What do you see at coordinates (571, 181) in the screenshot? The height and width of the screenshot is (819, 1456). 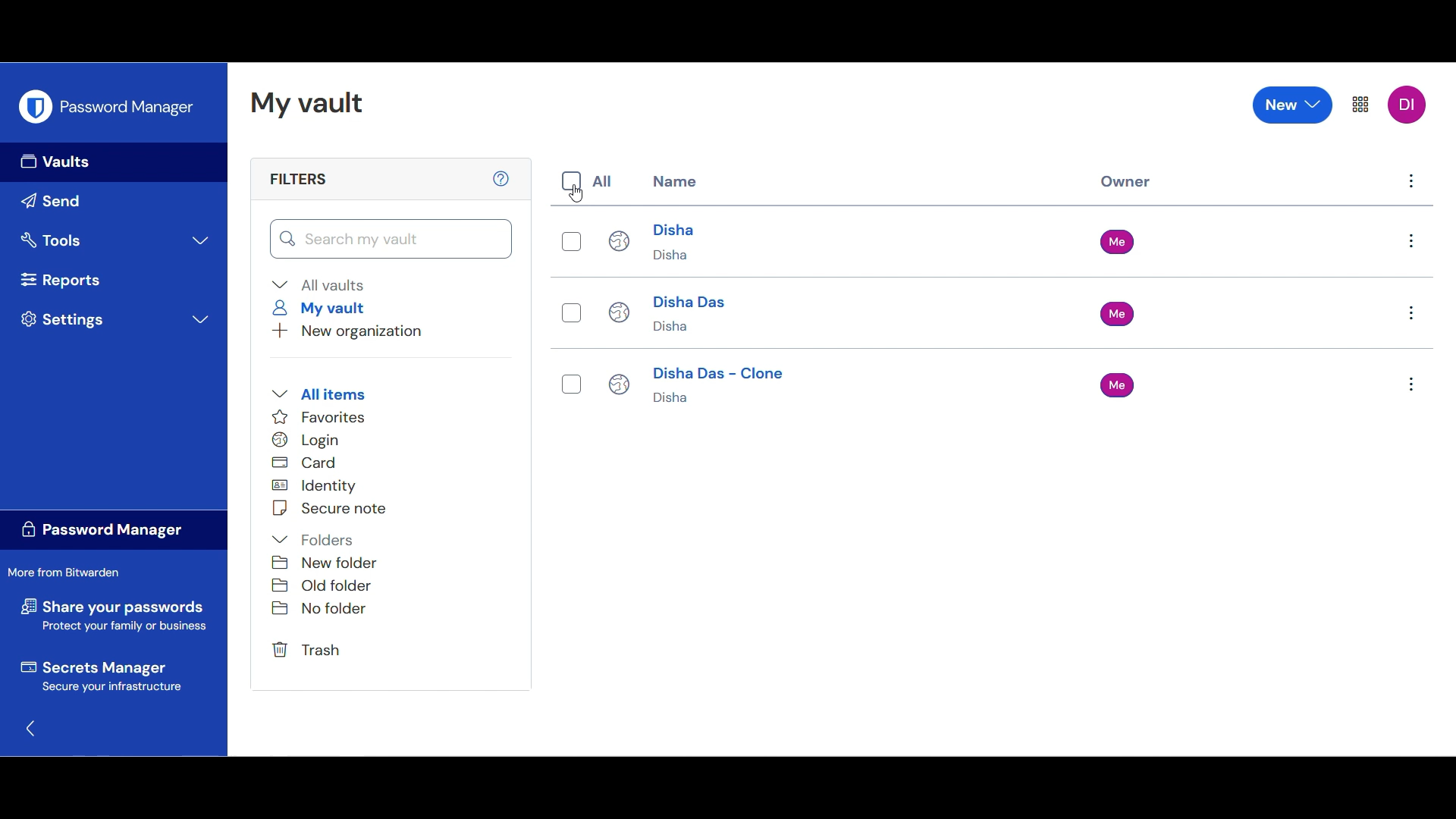 I see `Indicates toggle on/off` at bounding box center [571, 181].